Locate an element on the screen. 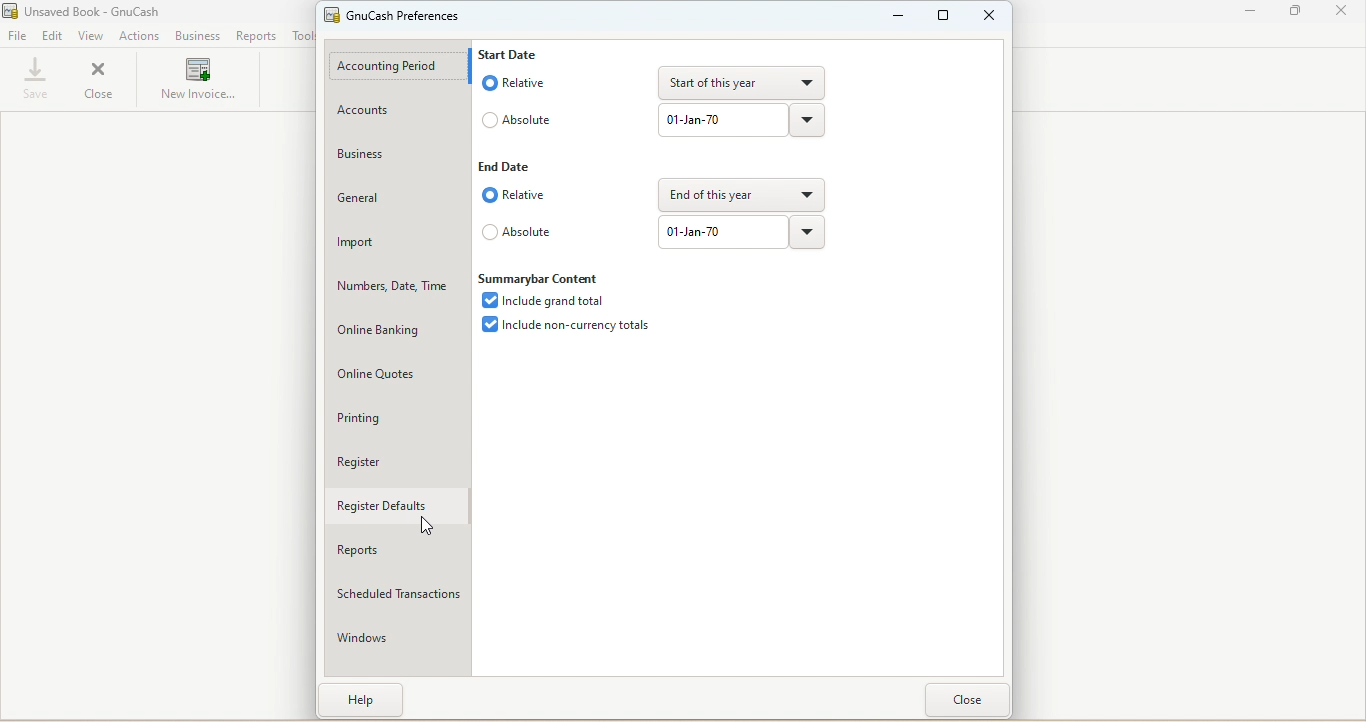 This screenshot has height=722, width=1366. Online banking is located at coordinates (390, 330).